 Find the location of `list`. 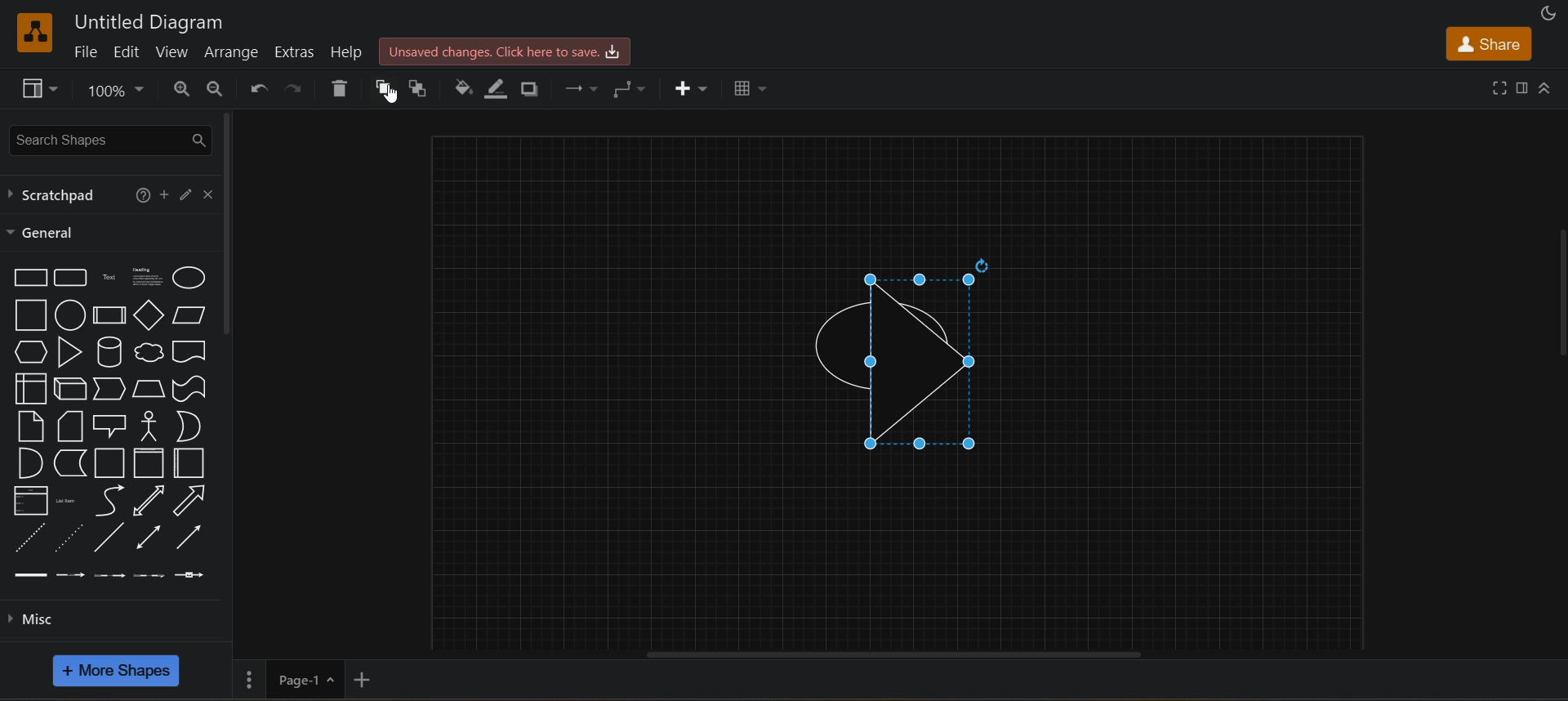

list is located at coordinates (31, 499).